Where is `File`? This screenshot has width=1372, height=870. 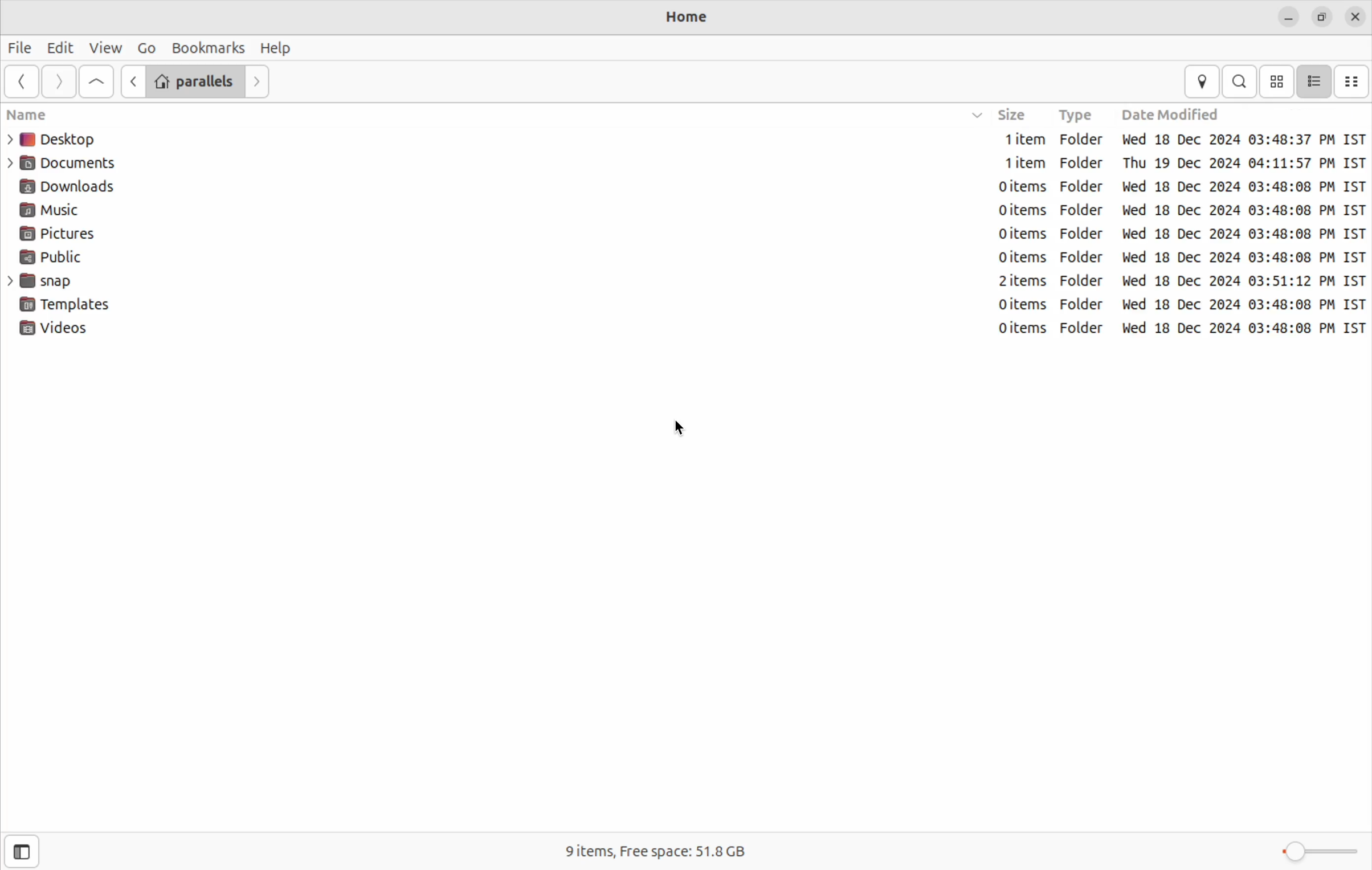
File is located at coordinates (20, 48).